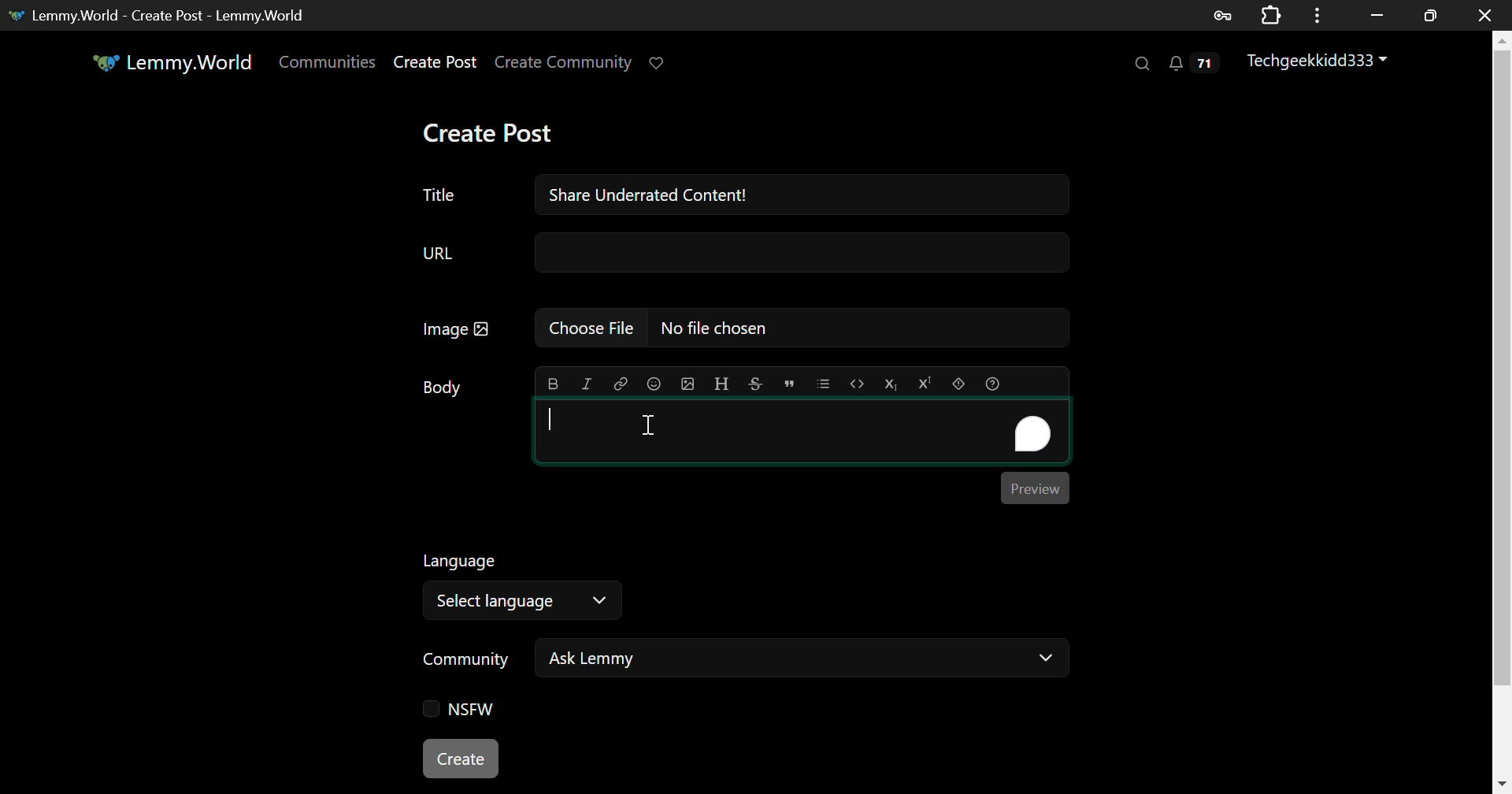 The width and height of the screenshot is (1512, 794). I want to click on Insert Image, so click(687, 384).